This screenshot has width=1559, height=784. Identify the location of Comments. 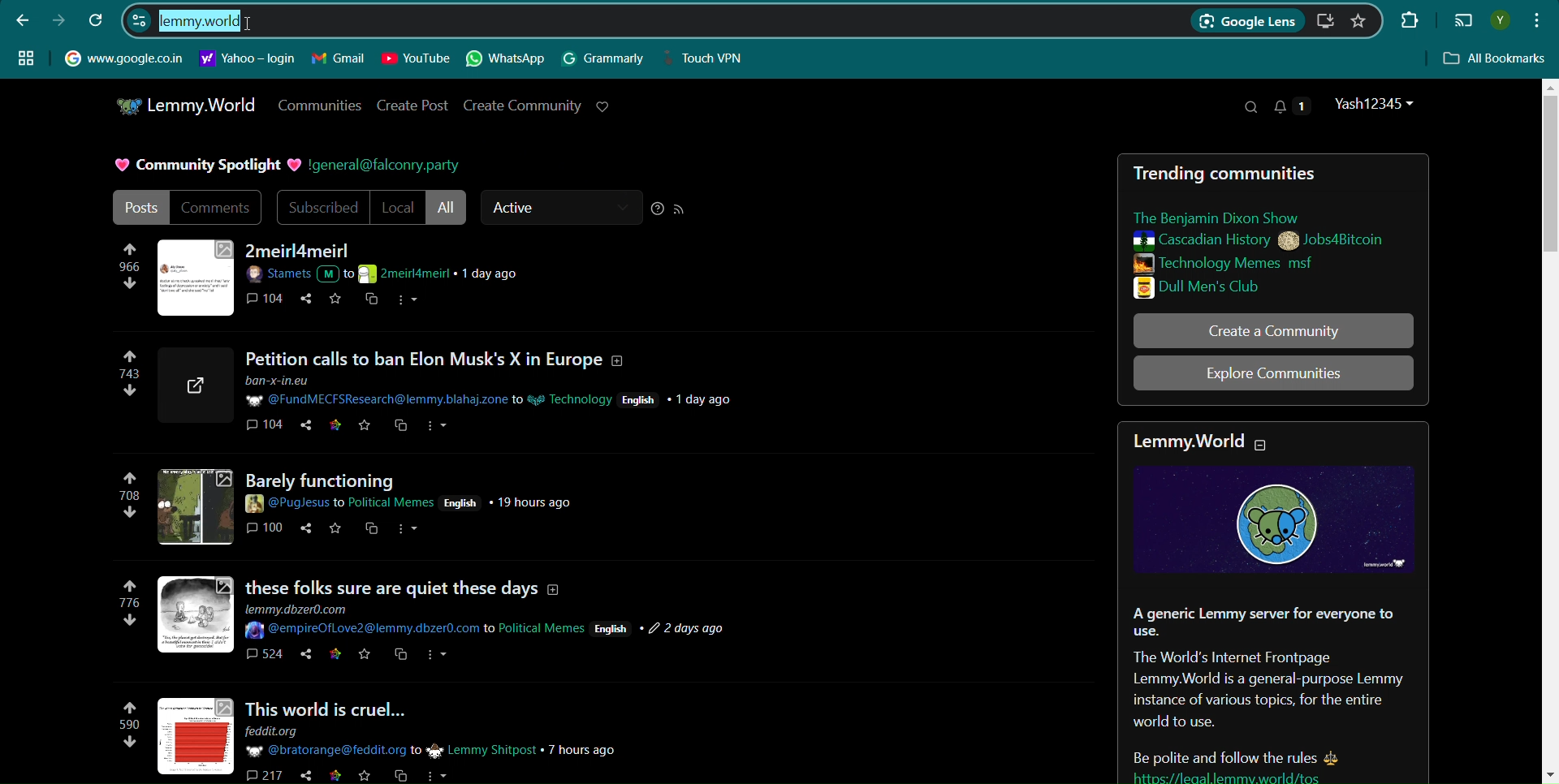
(218, 207).